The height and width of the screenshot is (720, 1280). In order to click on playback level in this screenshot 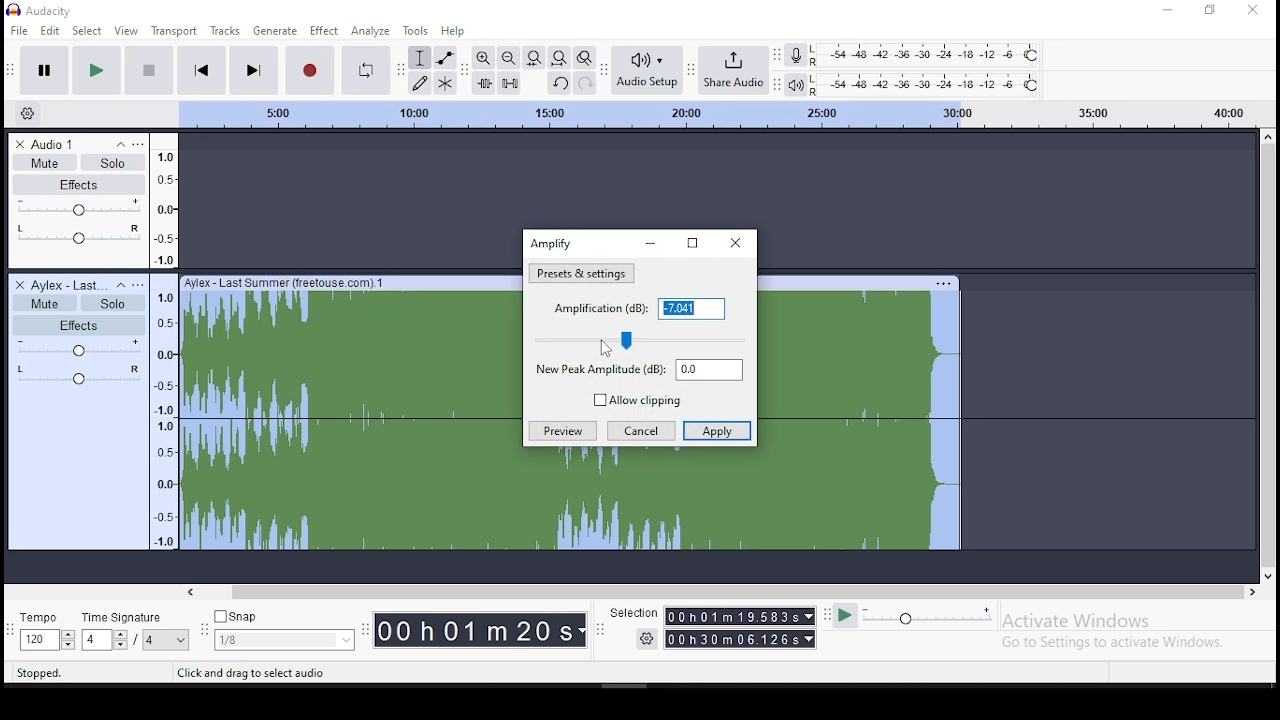, I will do `click(925, 83)`.